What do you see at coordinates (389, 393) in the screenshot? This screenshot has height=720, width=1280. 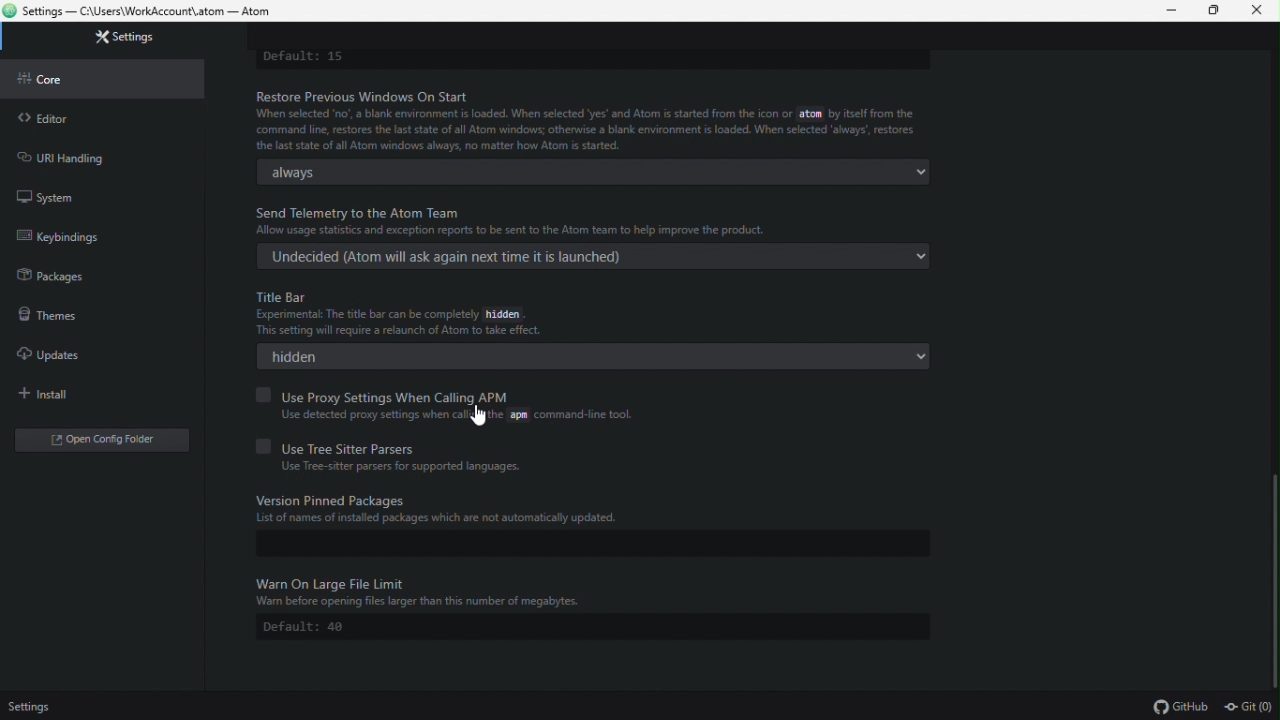 I see `Use Proxy Settings When Calling APM` at bounding box center [389, 393].